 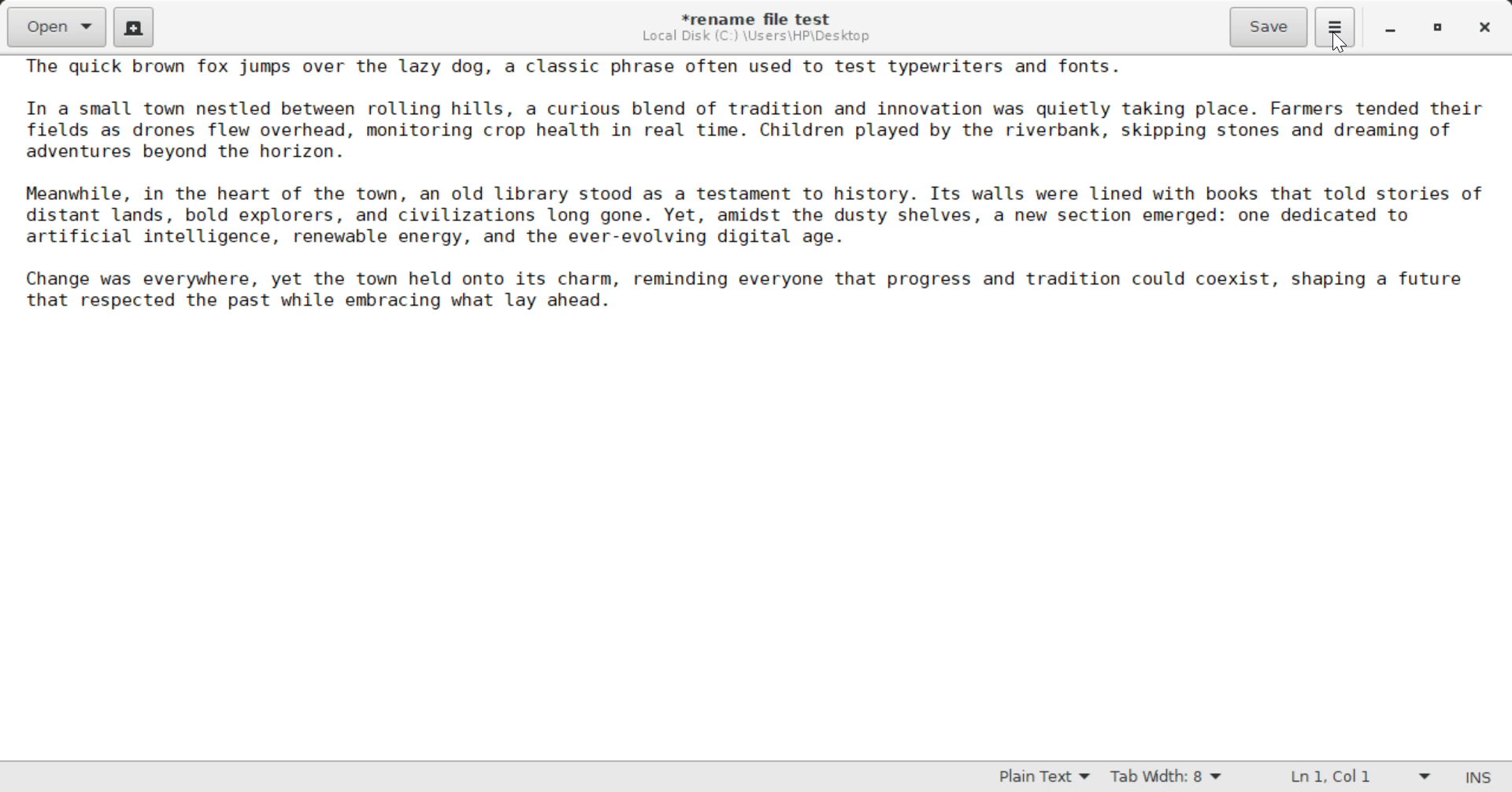 I want to click on Line & Character Count, so click(x=1354, y=777).